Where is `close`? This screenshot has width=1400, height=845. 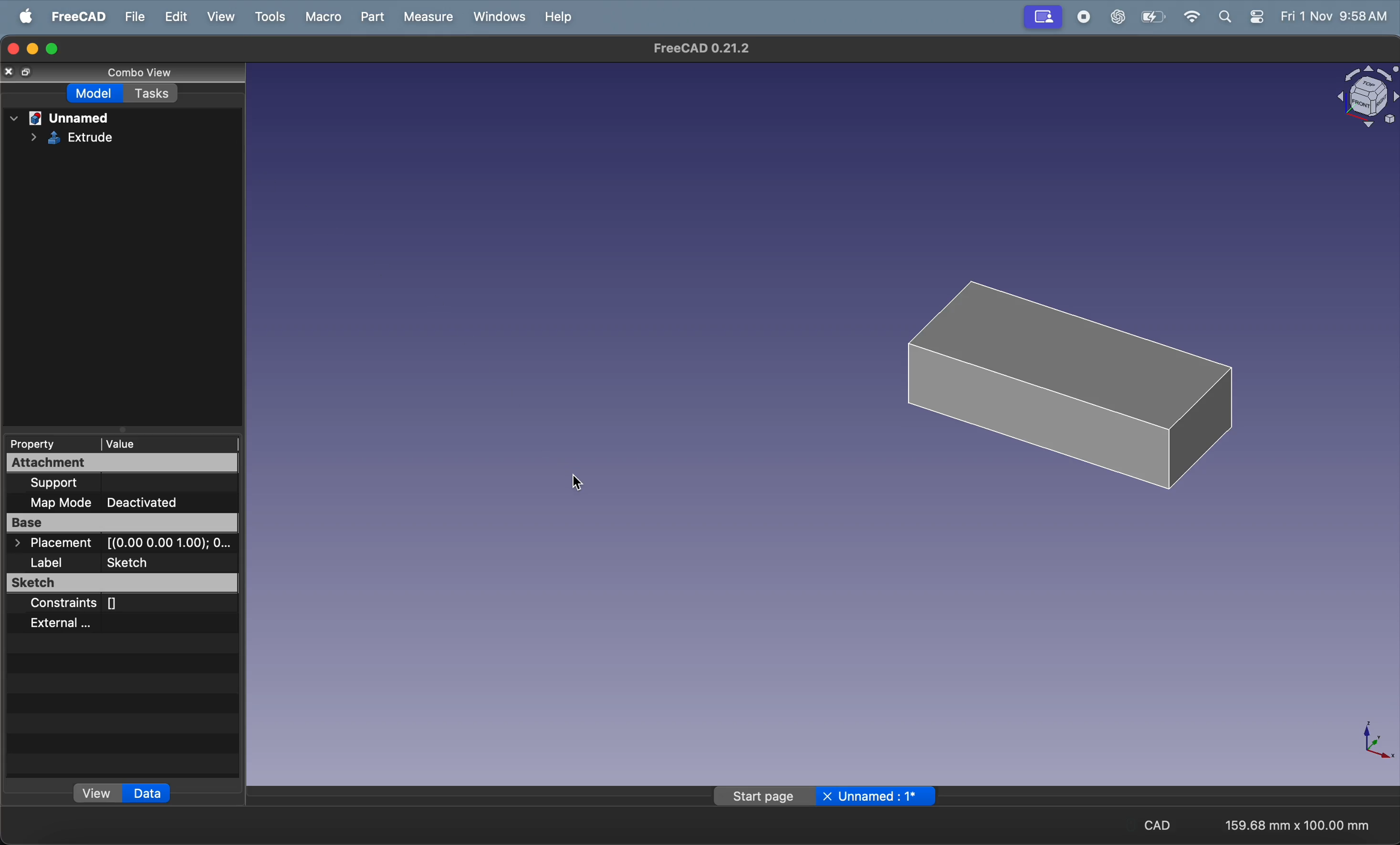 close is located at coordinates (16, 73).